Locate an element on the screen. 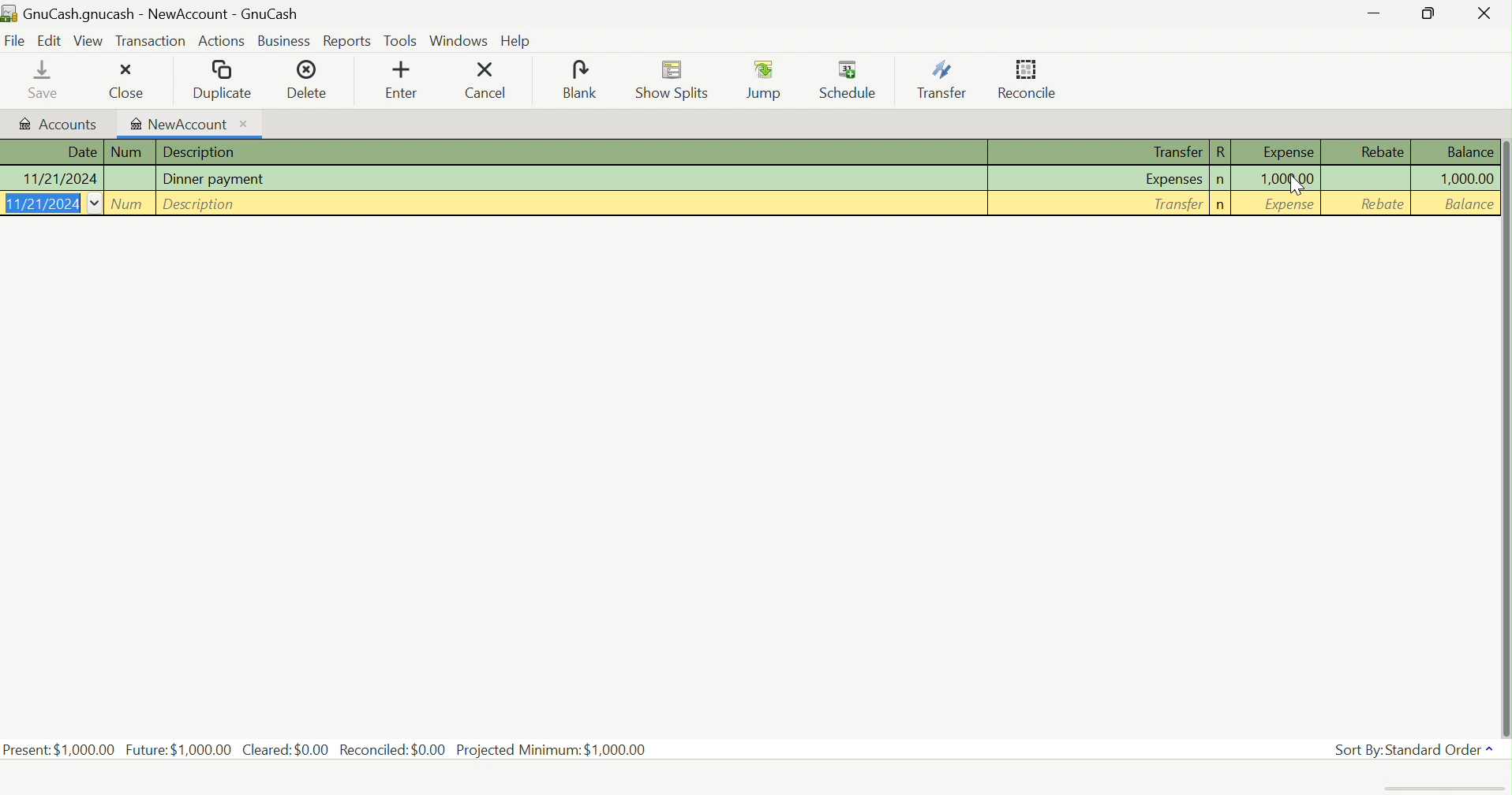 The image size is (1512, 795). Transfer is located at coordinates (941, 80).